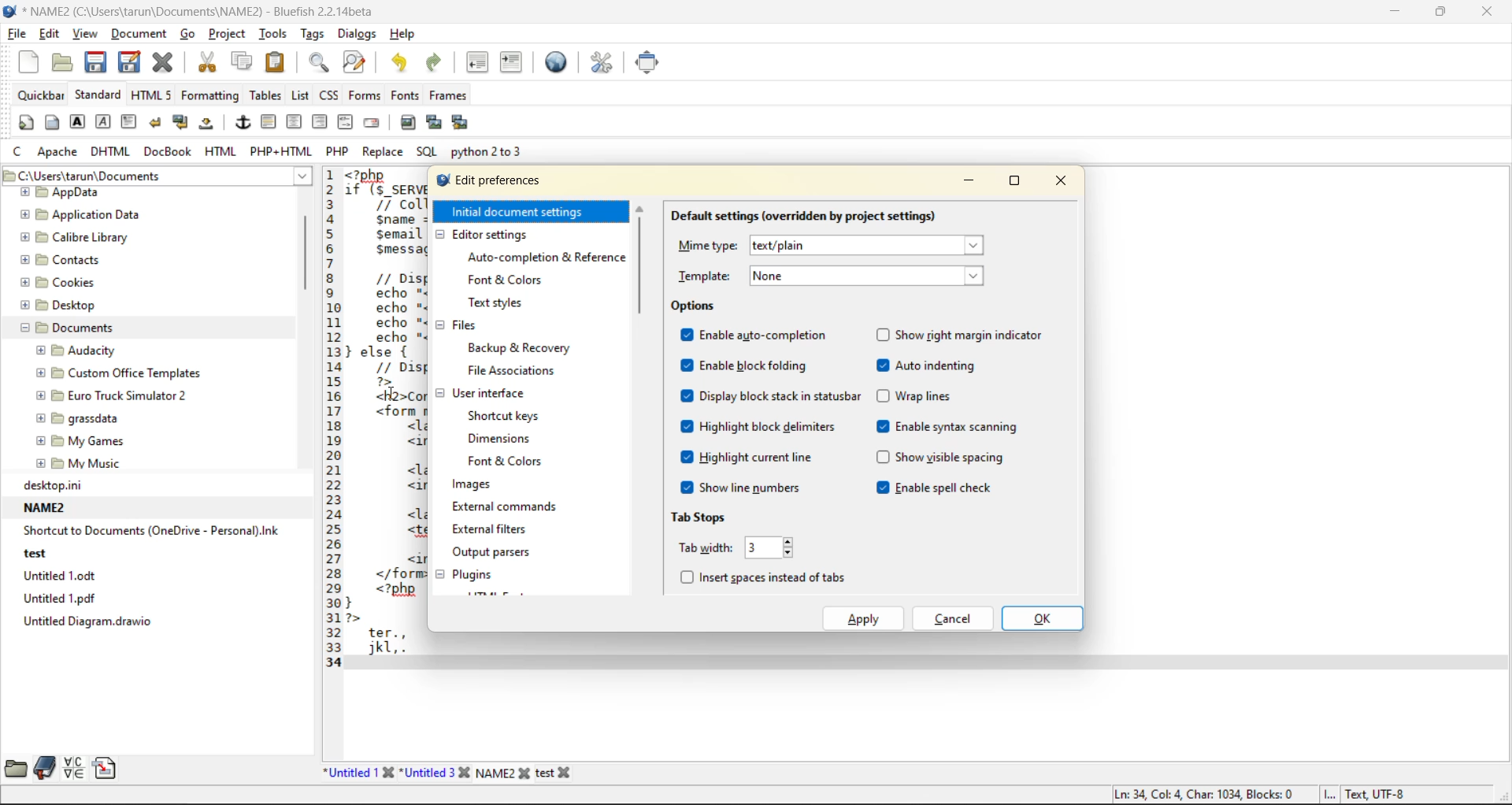  Describe the element at coordinates (405, 36) in the screenshot. I see `help` at that location.